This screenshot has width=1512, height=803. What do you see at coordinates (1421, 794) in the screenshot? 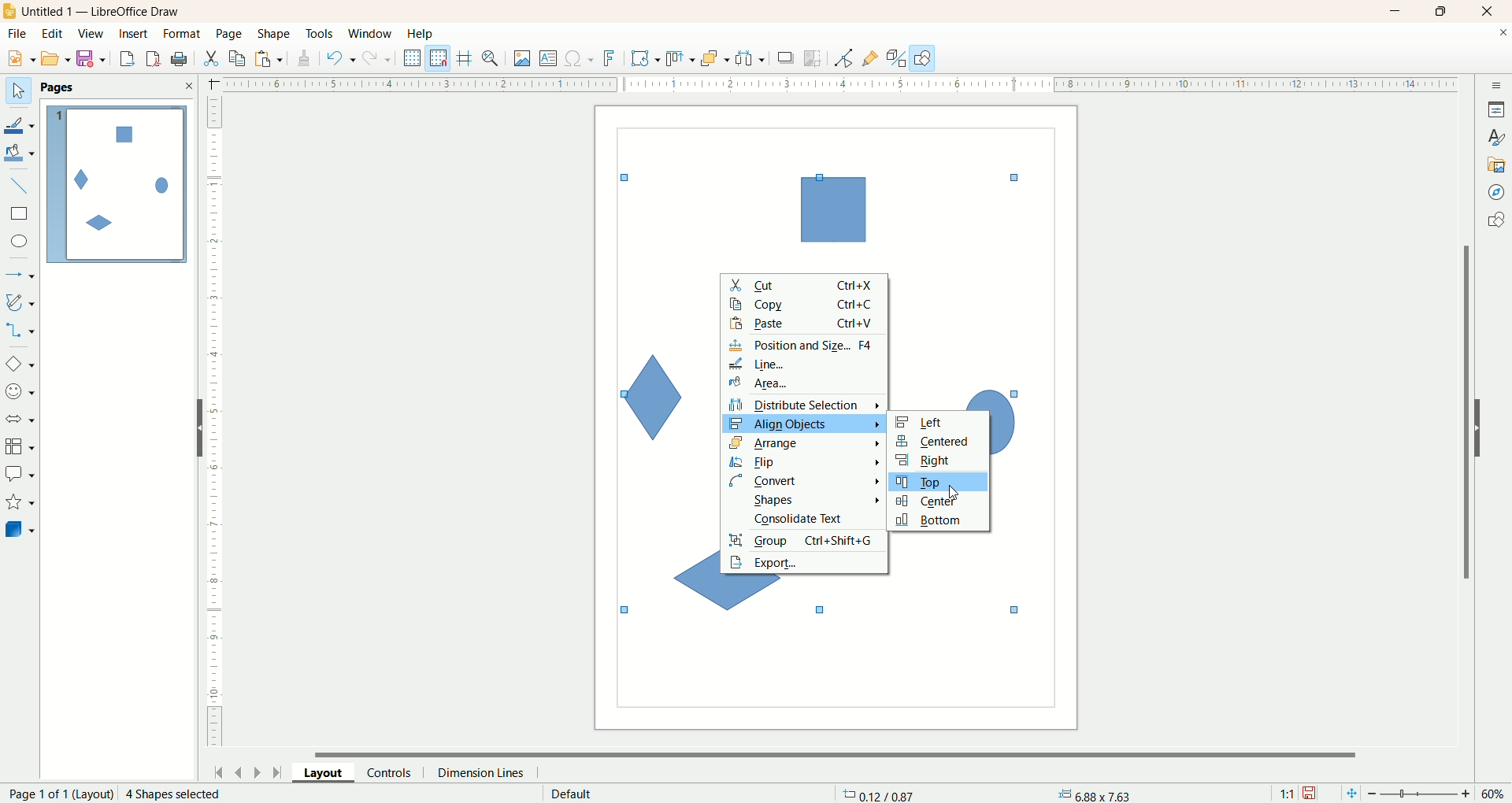
I see `zoom factor` at bounding box center [1421, 794].